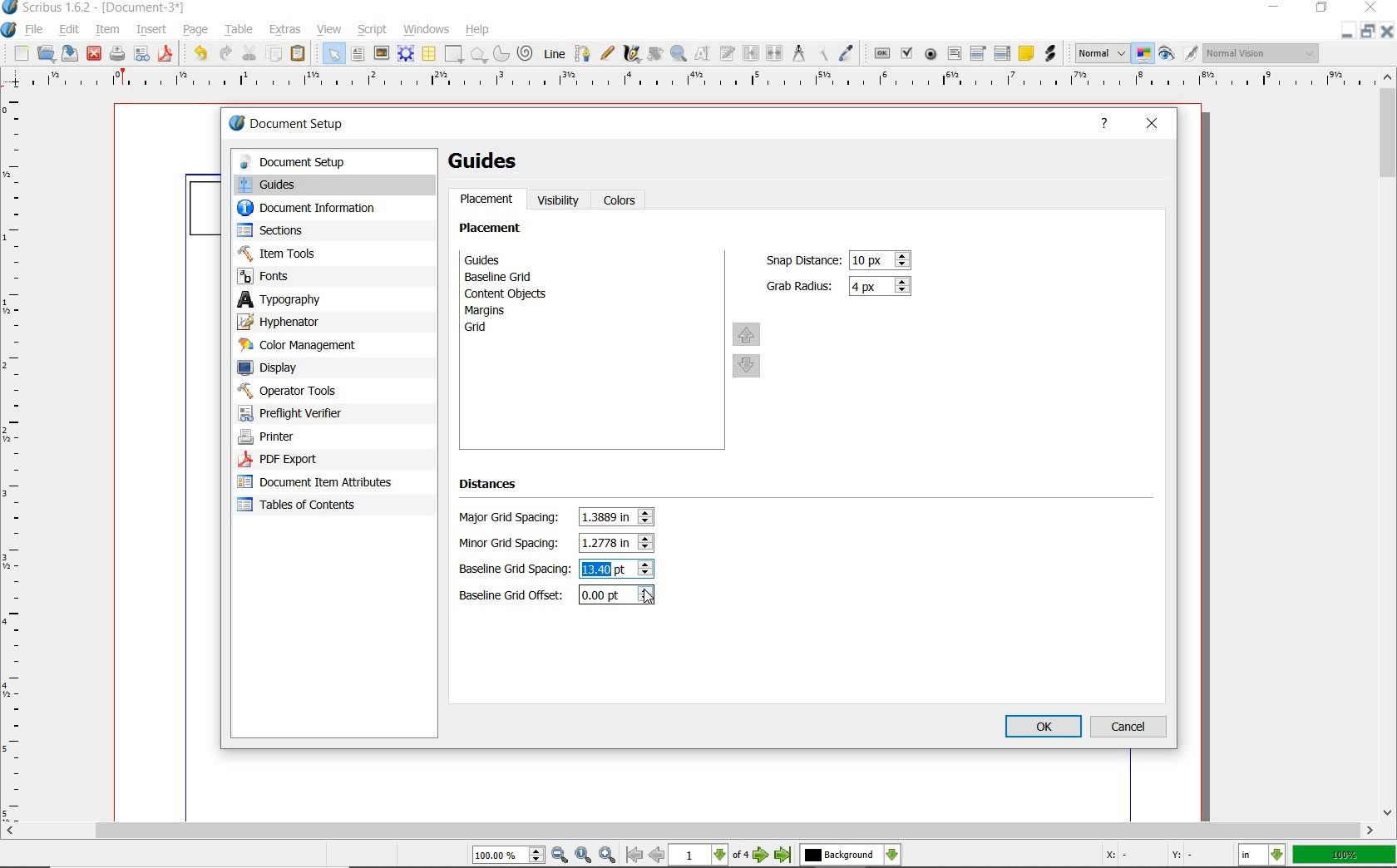 The image size is (1397, 868). I want to click on ruler, so click(19, 460).